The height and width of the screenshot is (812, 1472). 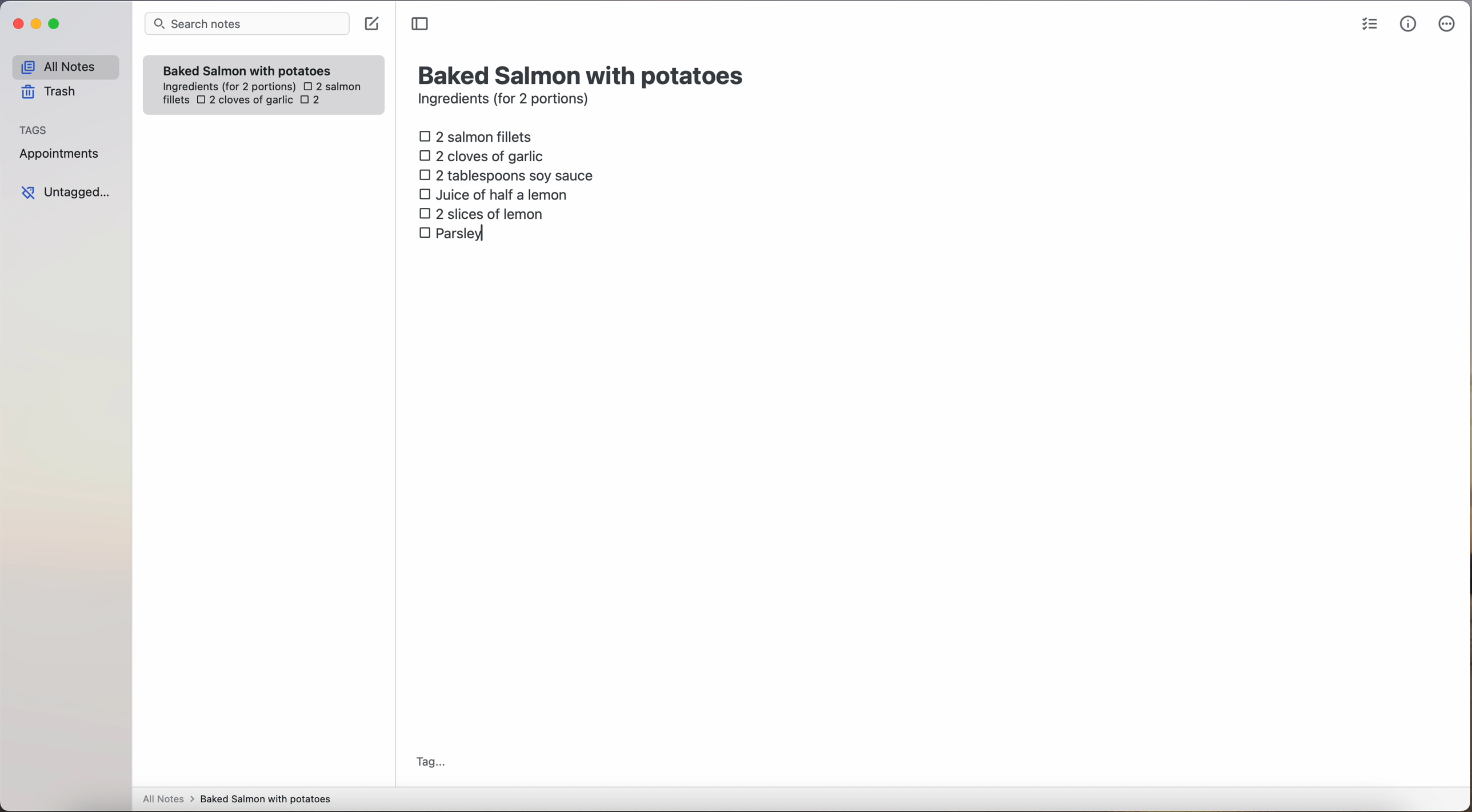 What do you see at coordinates (497, 194) in the screenshot?
I see `juice of half a lemon` at bounding box center [497, 194].